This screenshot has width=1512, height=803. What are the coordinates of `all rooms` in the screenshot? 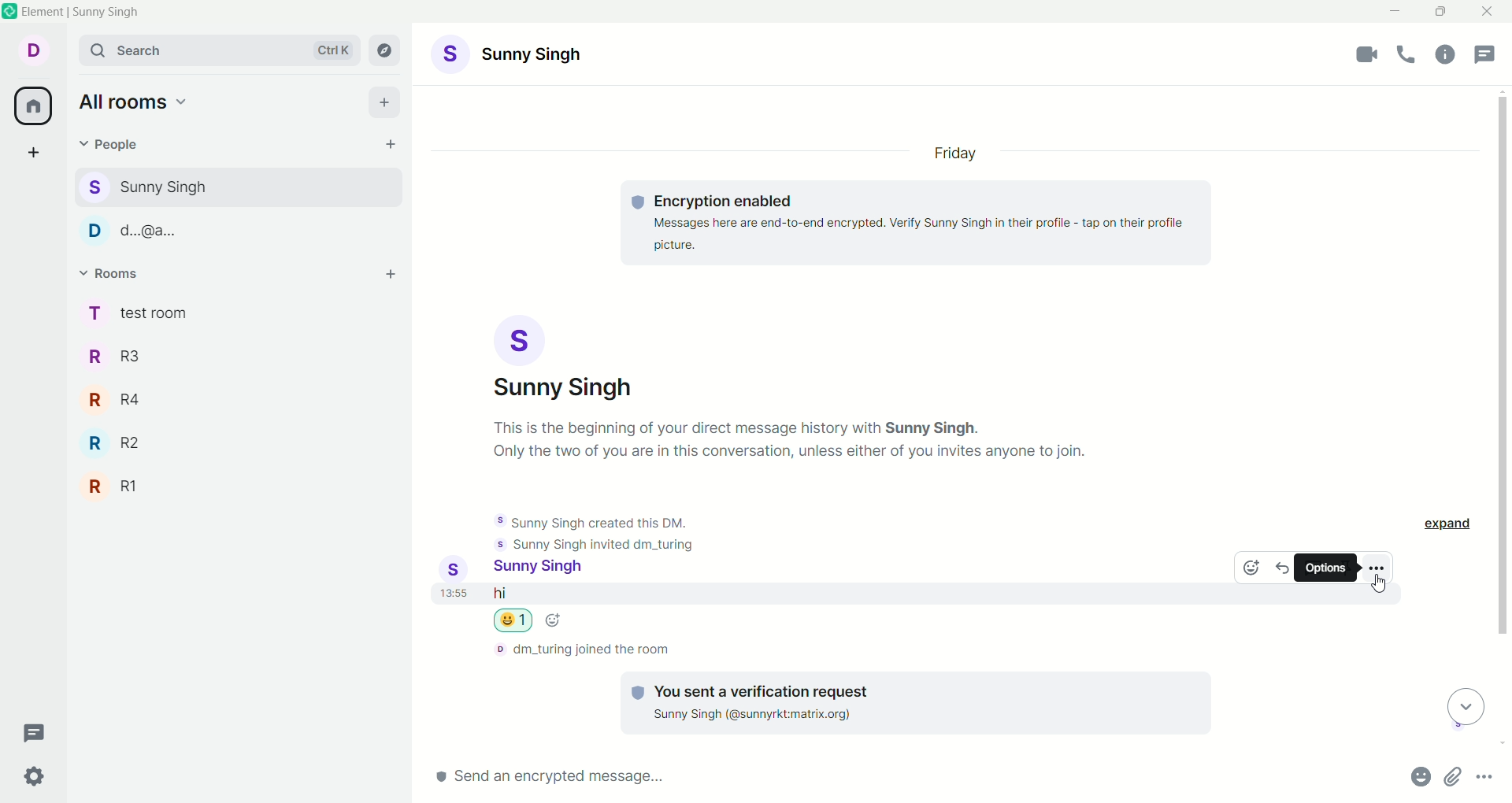 It's located at (31, 109).